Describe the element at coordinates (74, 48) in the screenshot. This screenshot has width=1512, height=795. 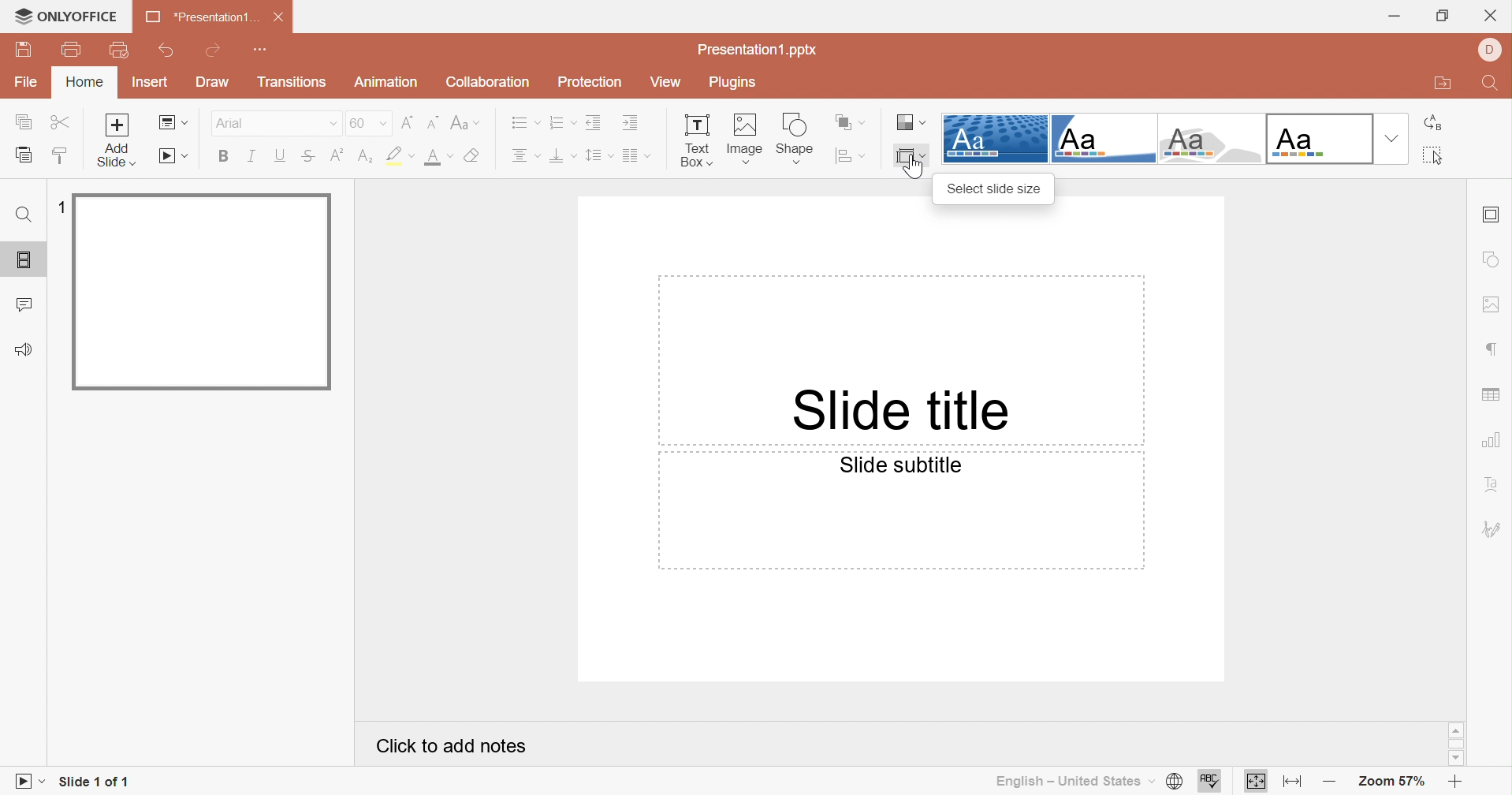
I see `Print file` at that location.